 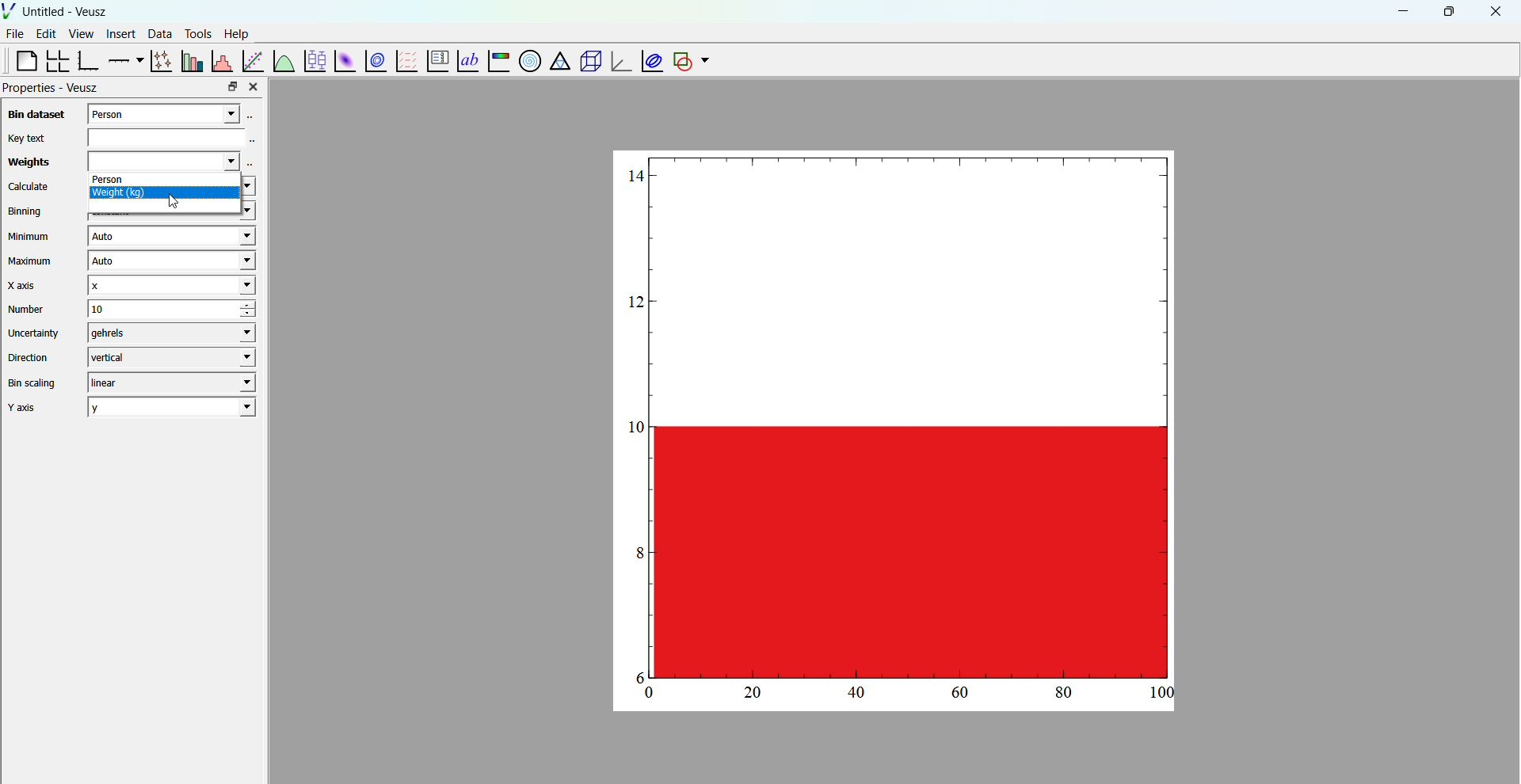 What do you see at coordinates (168, 382) in the screenshot?
I see `liner - drop down` at bounding box center [168, 382].